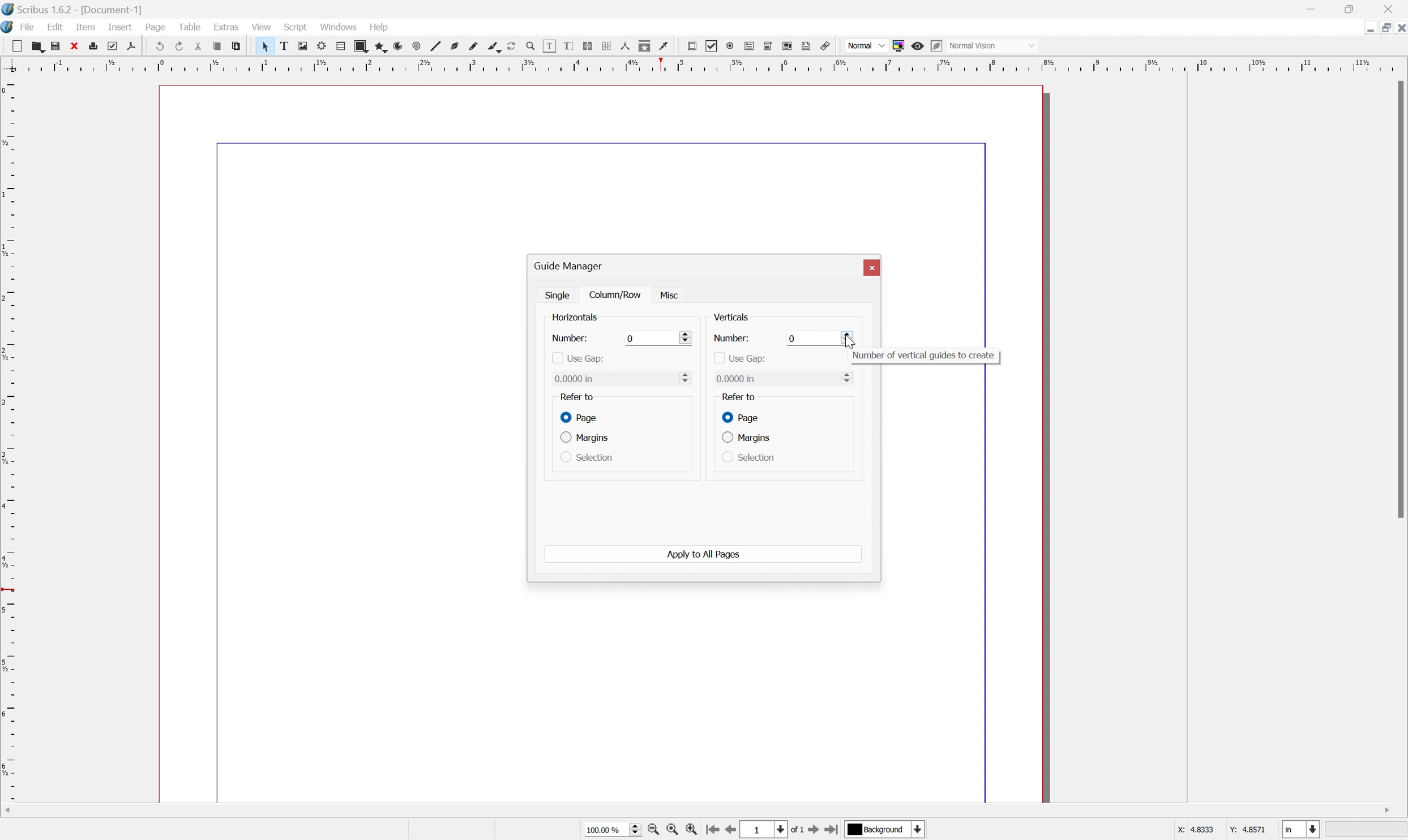  I want to click on rotate item, so click(511, 46).